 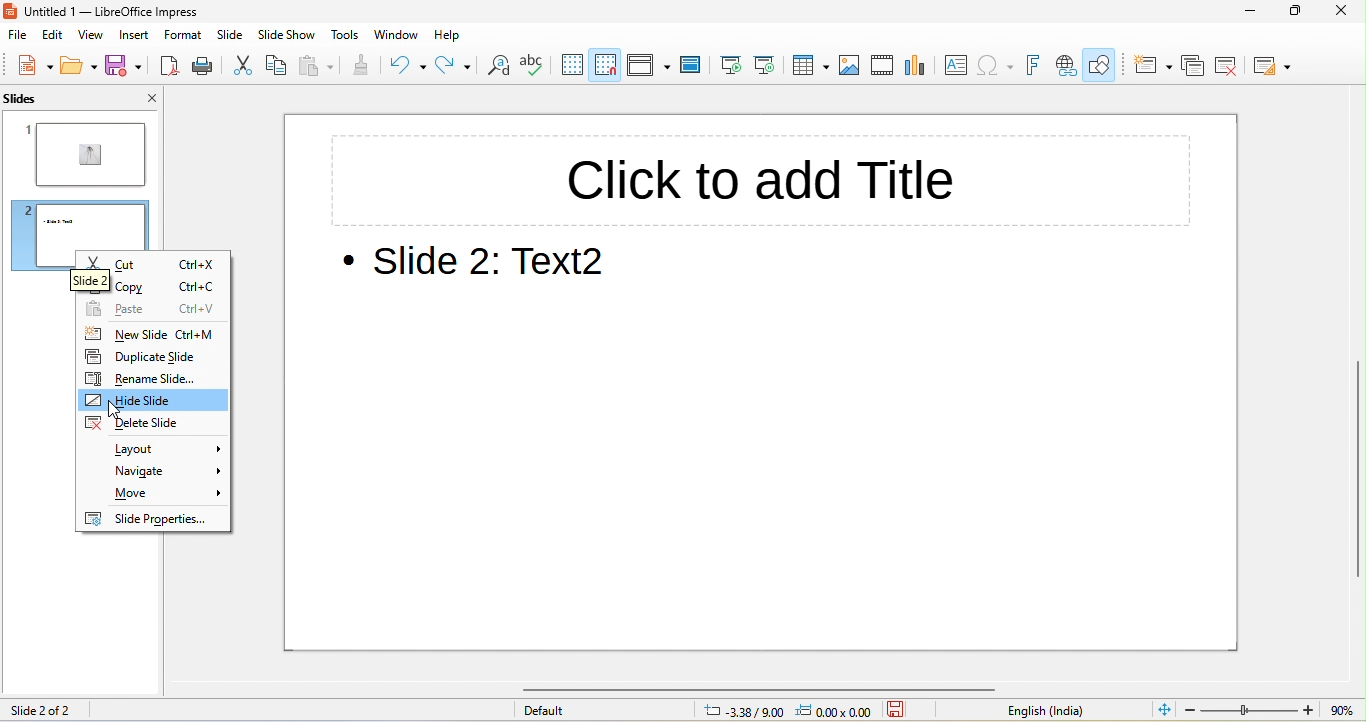 I want to click on spelling, so click(x=539, y=67).